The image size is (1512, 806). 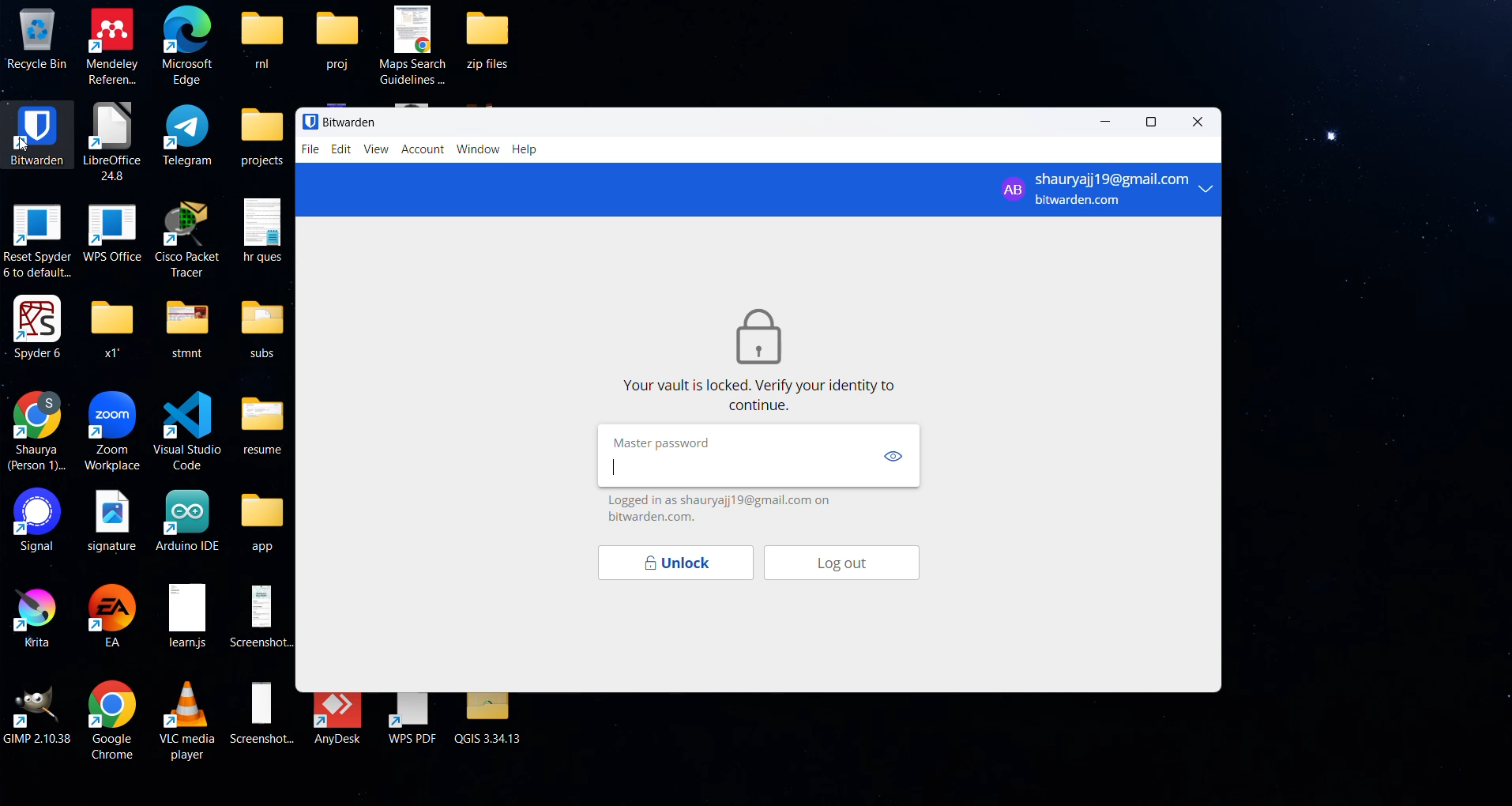 I want to click on Reset Spyder 6 to default.., so click(x=37, y=240).